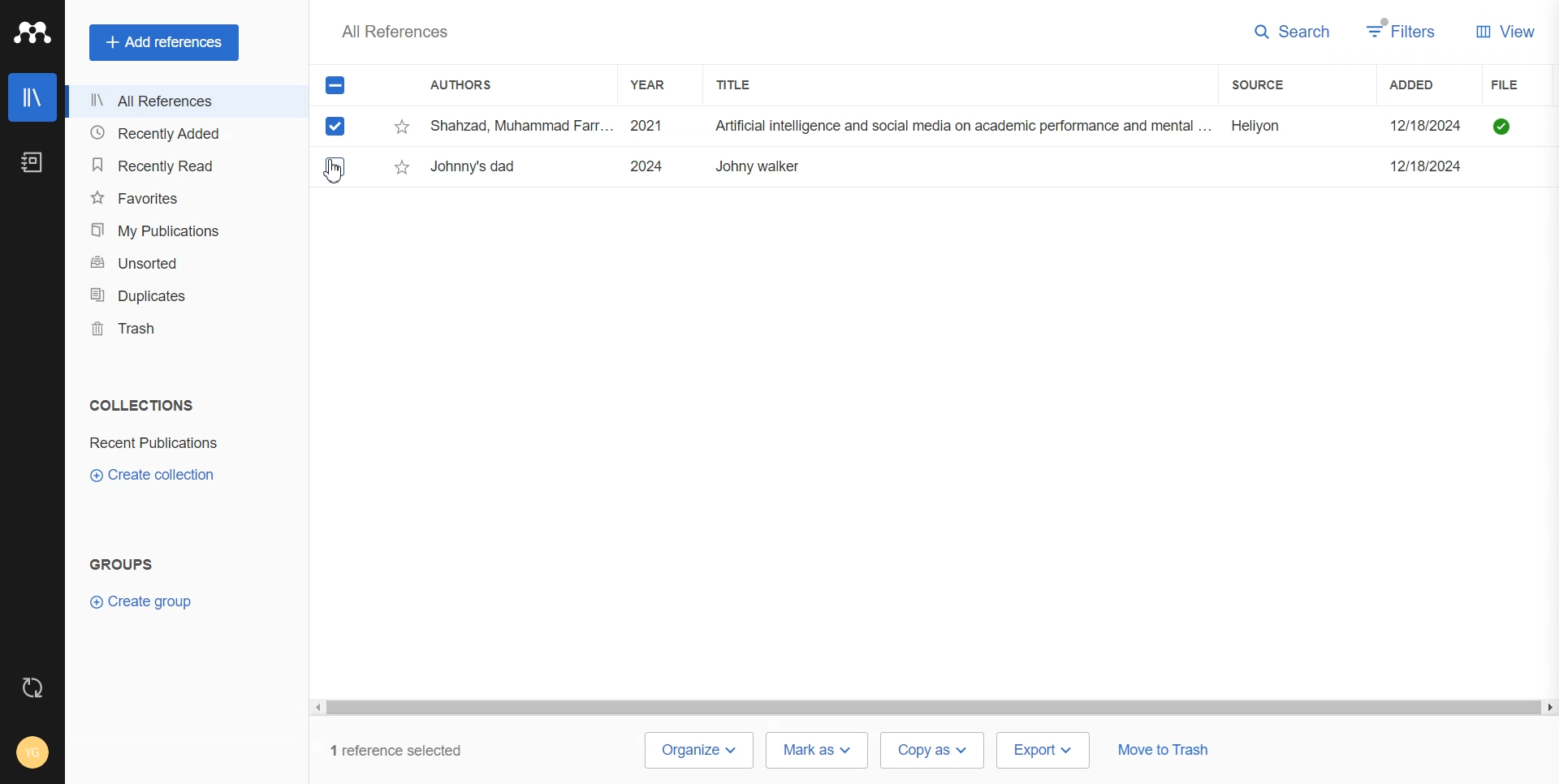 The image size is (1559, 784). I want to click on Unsorted, so click(181, 263).